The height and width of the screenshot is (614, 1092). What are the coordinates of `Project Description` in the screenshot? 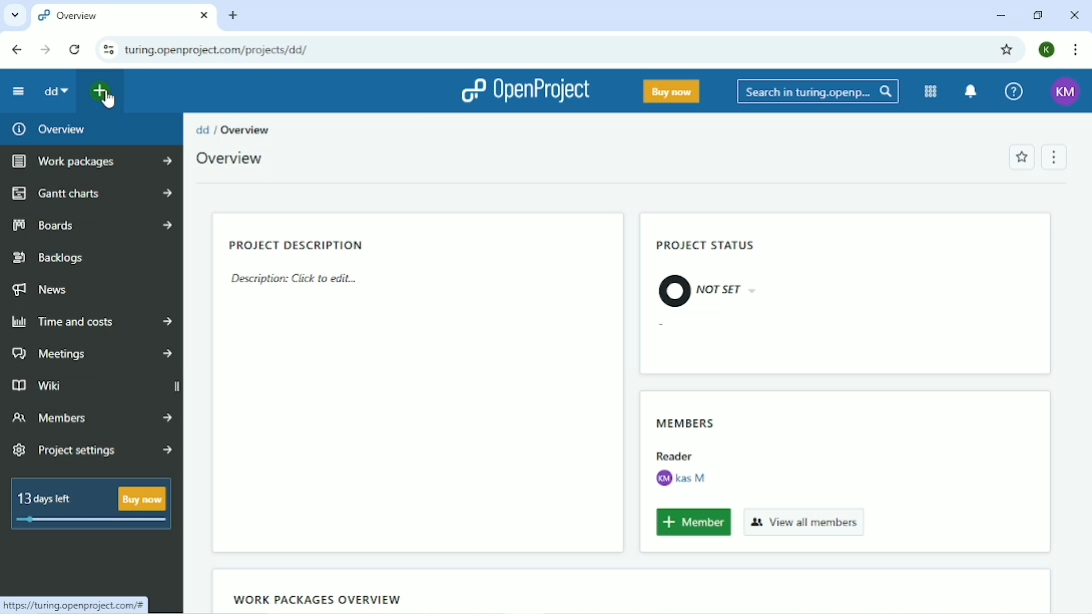 It's located at (296, 247).